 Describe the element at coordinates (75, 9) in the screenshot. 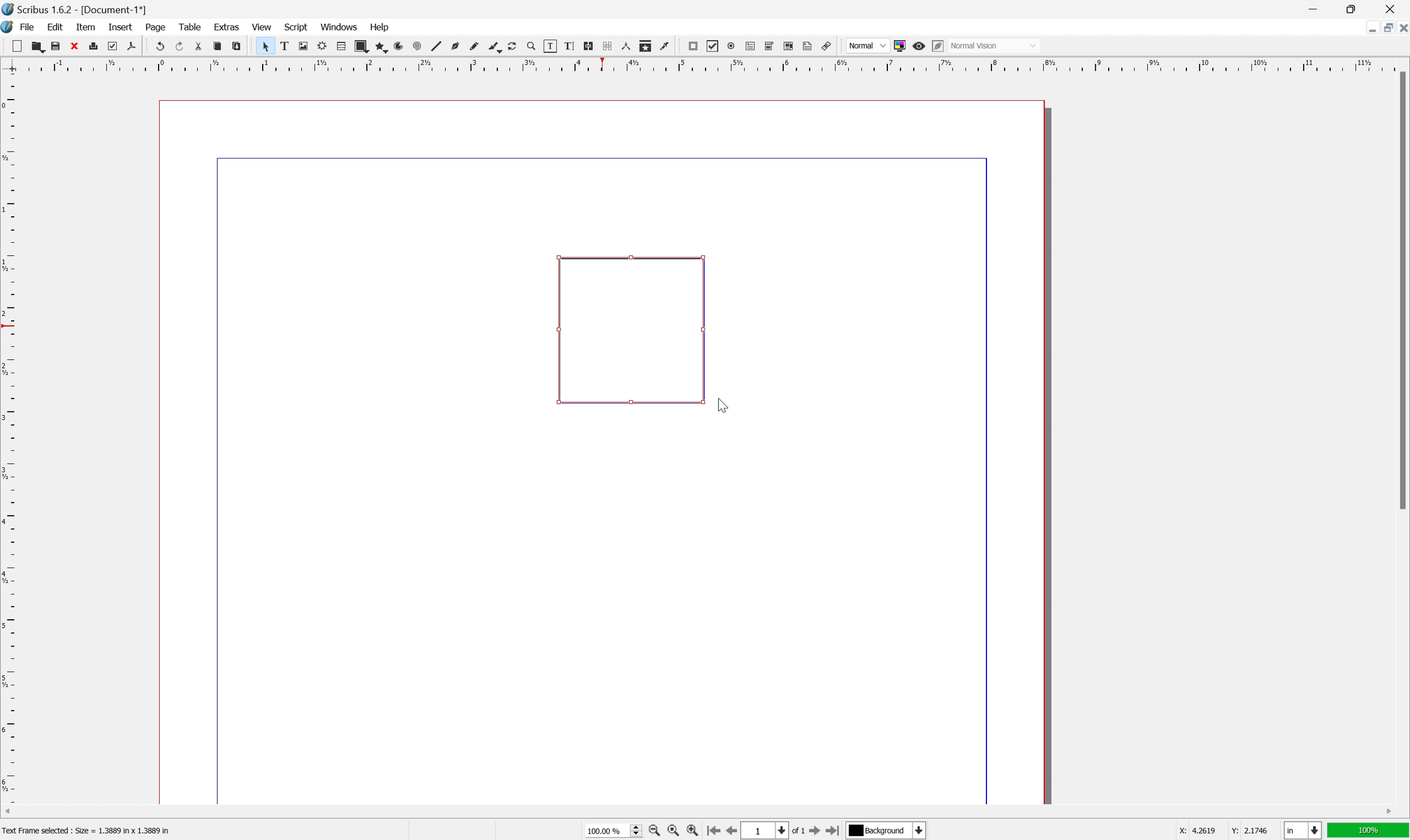

I see `Application name` at that location.